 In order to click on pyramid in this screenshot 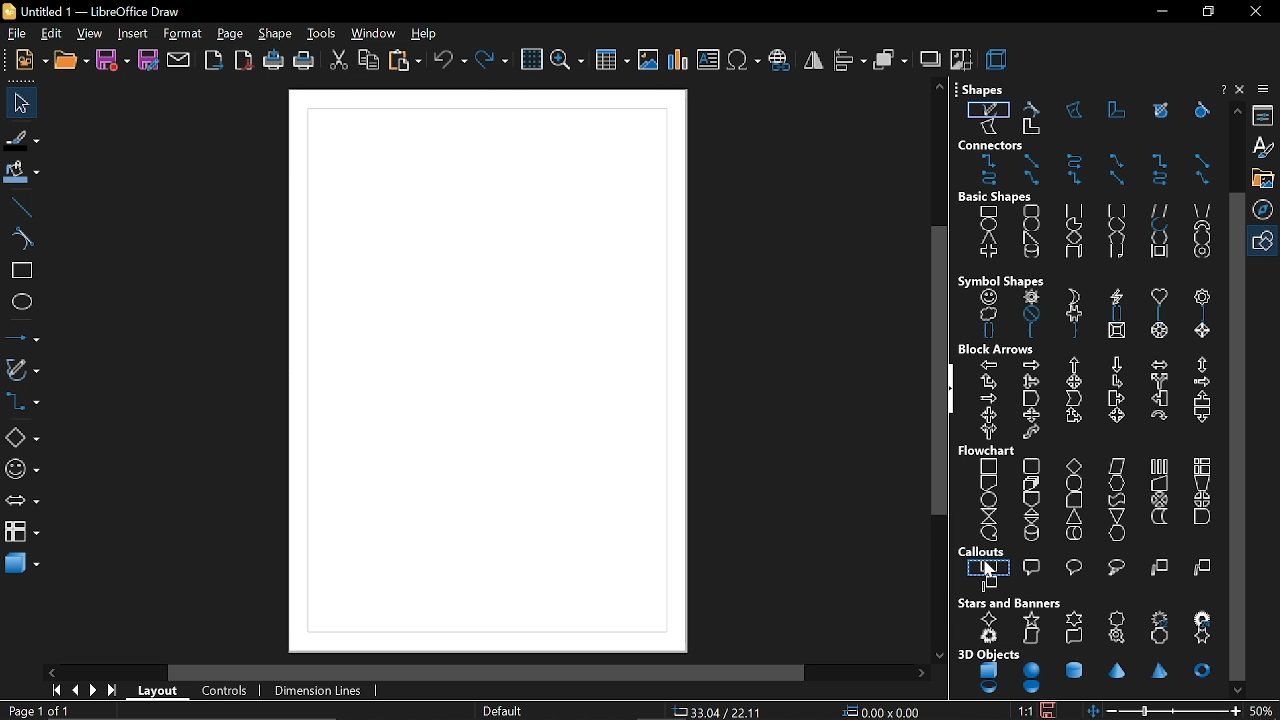, I will do `click(1162, 672)`.